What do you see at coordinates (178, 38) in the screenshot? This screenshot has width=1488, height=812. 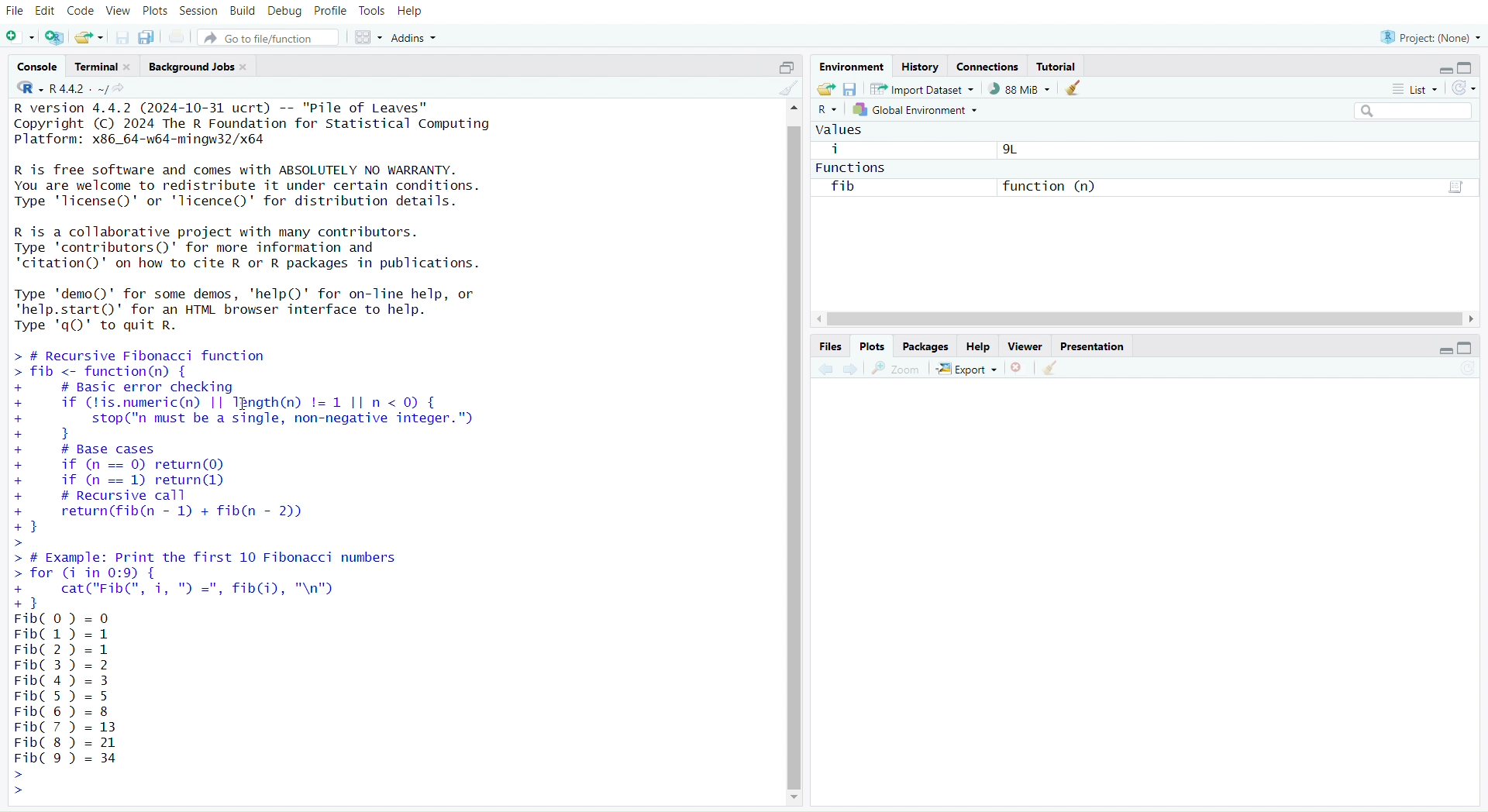 I see `print the current file` at bounding box center [178, 38].